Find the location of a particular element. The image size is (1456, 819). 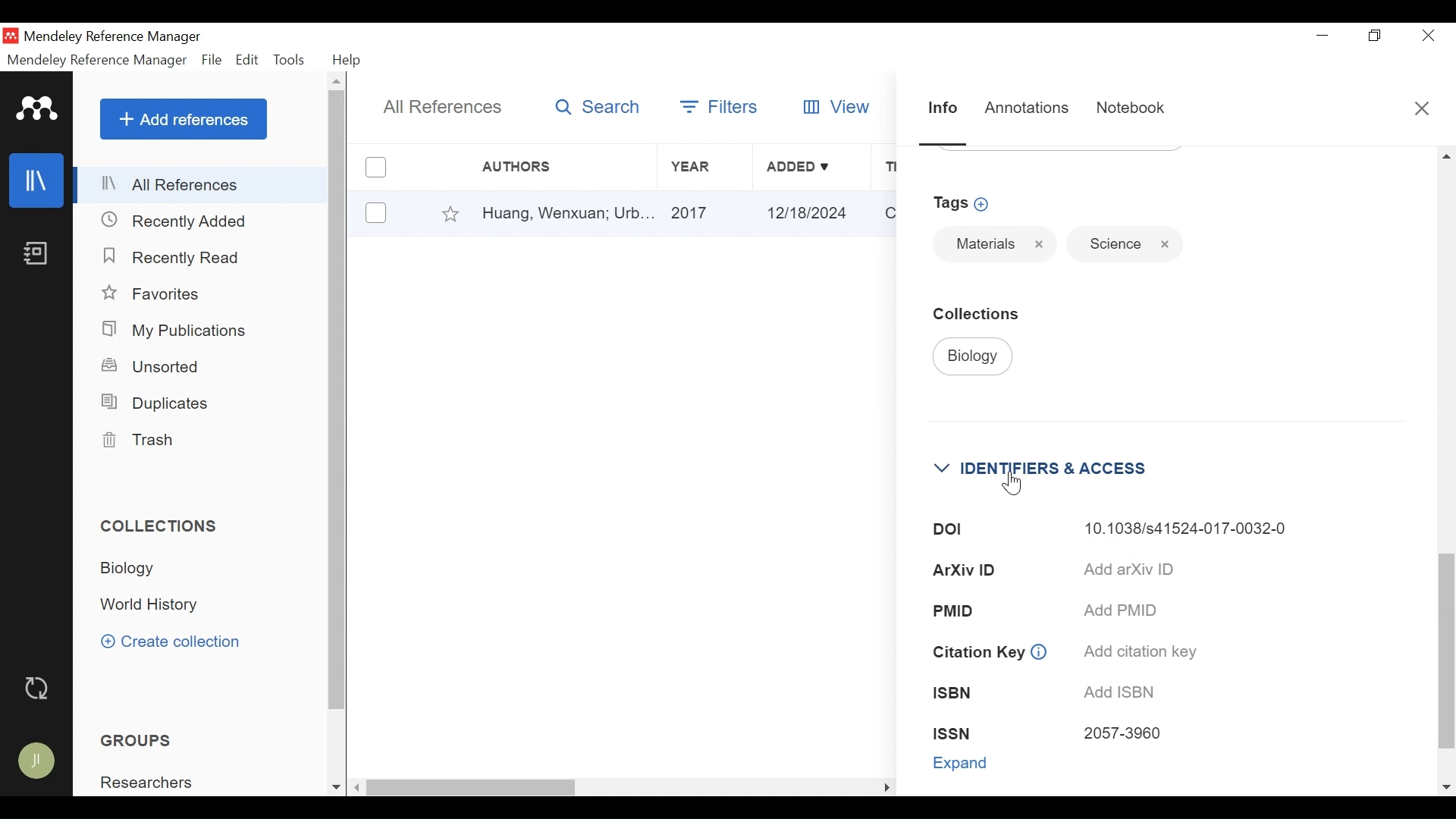

Added is located at coordinates (811, 167).